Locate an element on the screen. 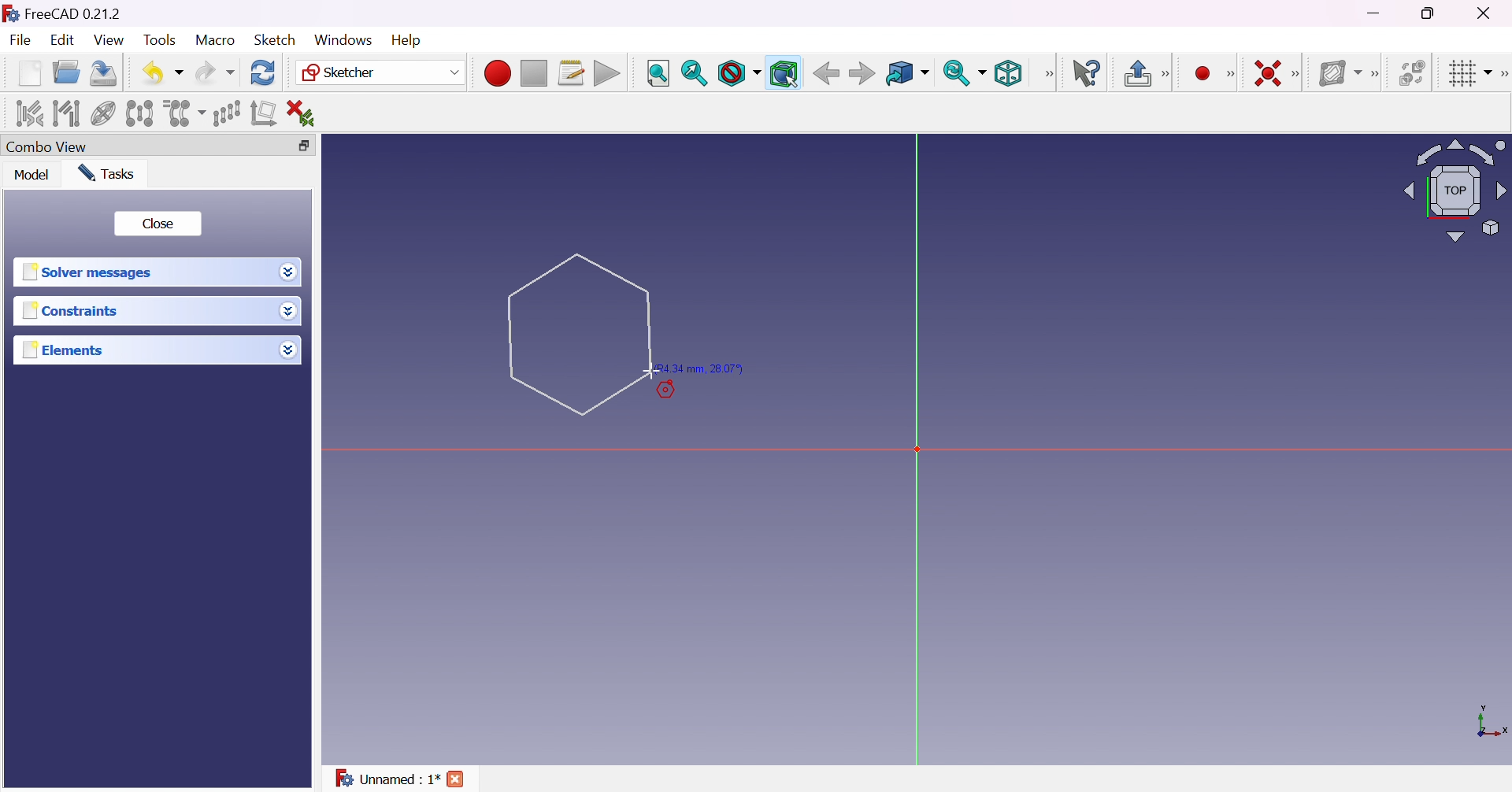 This screenshot has width=1512, height=792. Stop macro recording... is located at coordinates (535, 74).